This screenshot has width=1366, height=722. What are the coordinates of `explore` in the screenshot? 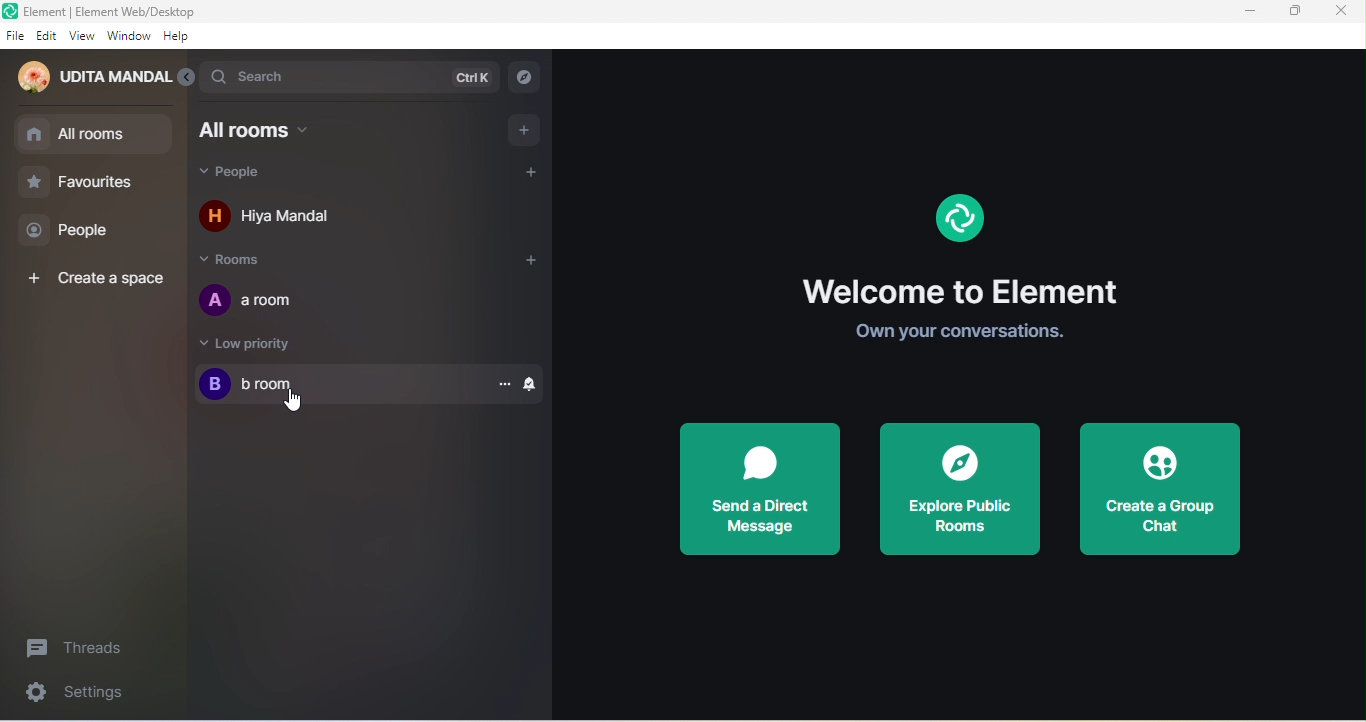 It's located at (531, 79).